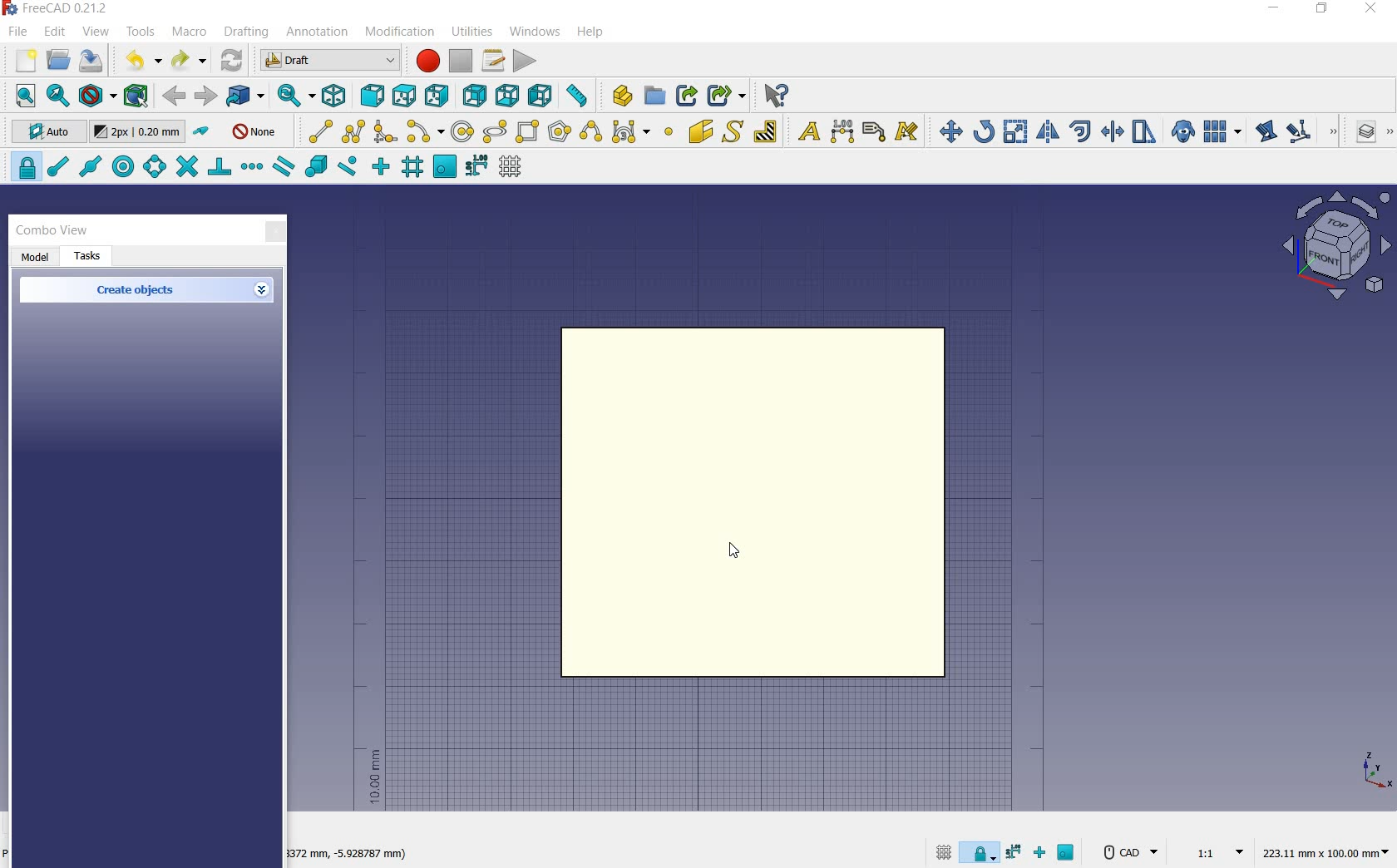  Describe the element at coordinates (654, 96) in the screenshot. I see `create group` at that location.